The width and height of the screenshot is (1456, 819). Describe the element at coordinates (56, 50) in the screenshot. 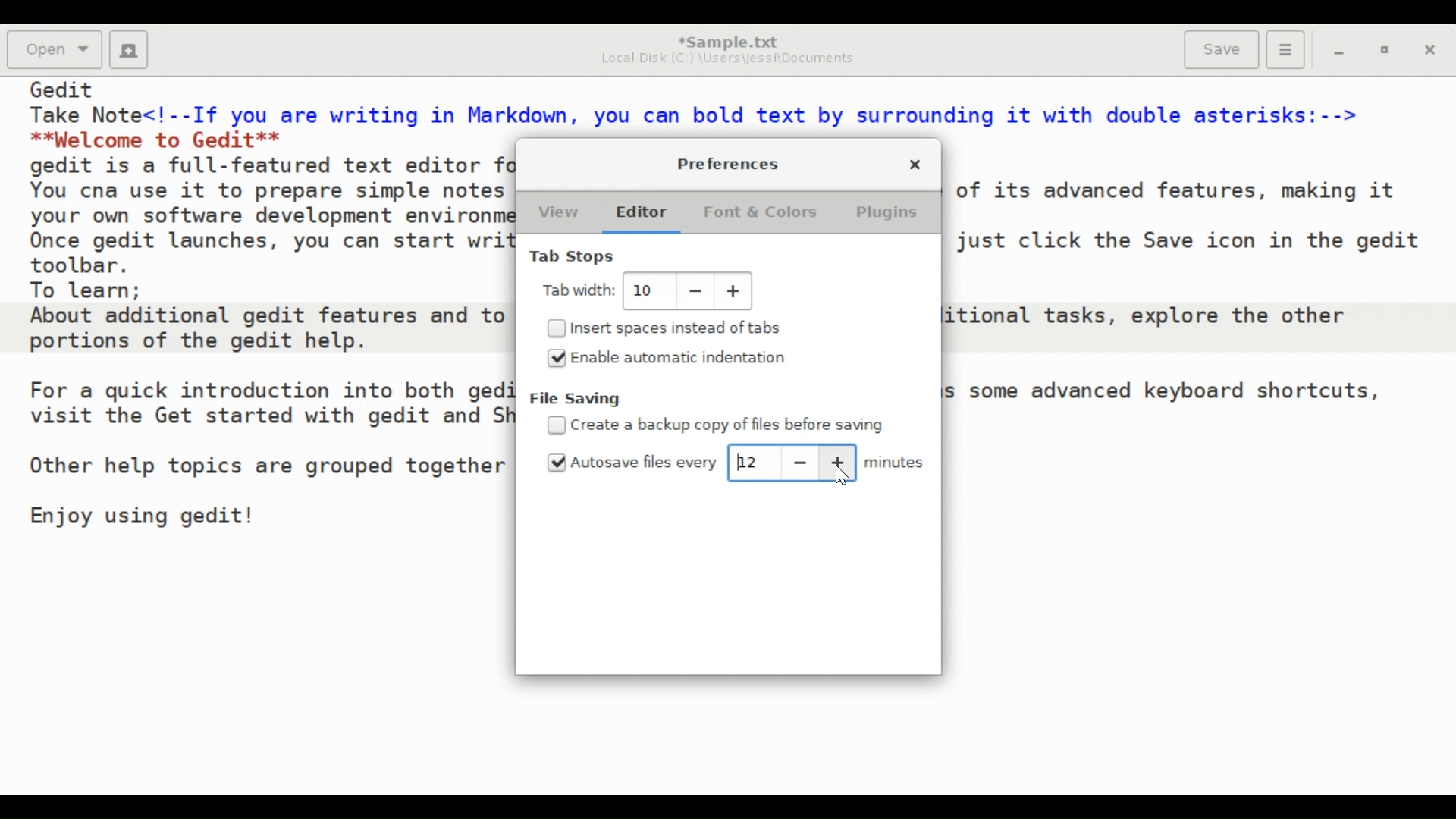

I see `Open` at that location.